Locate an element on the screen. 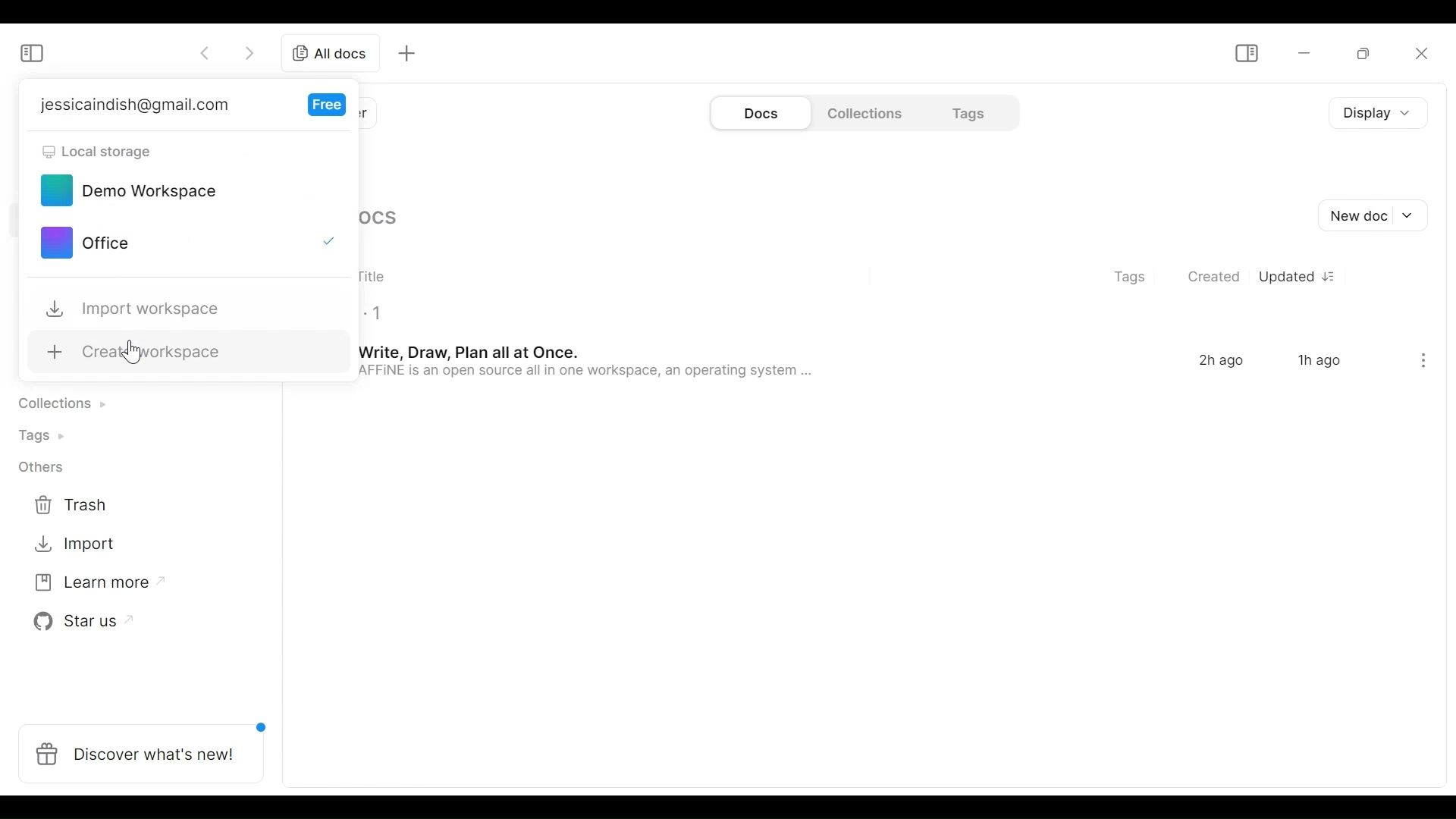 The width and height of the screenshot is (1456, 819). Contributions is located at coordinates (55, 403).